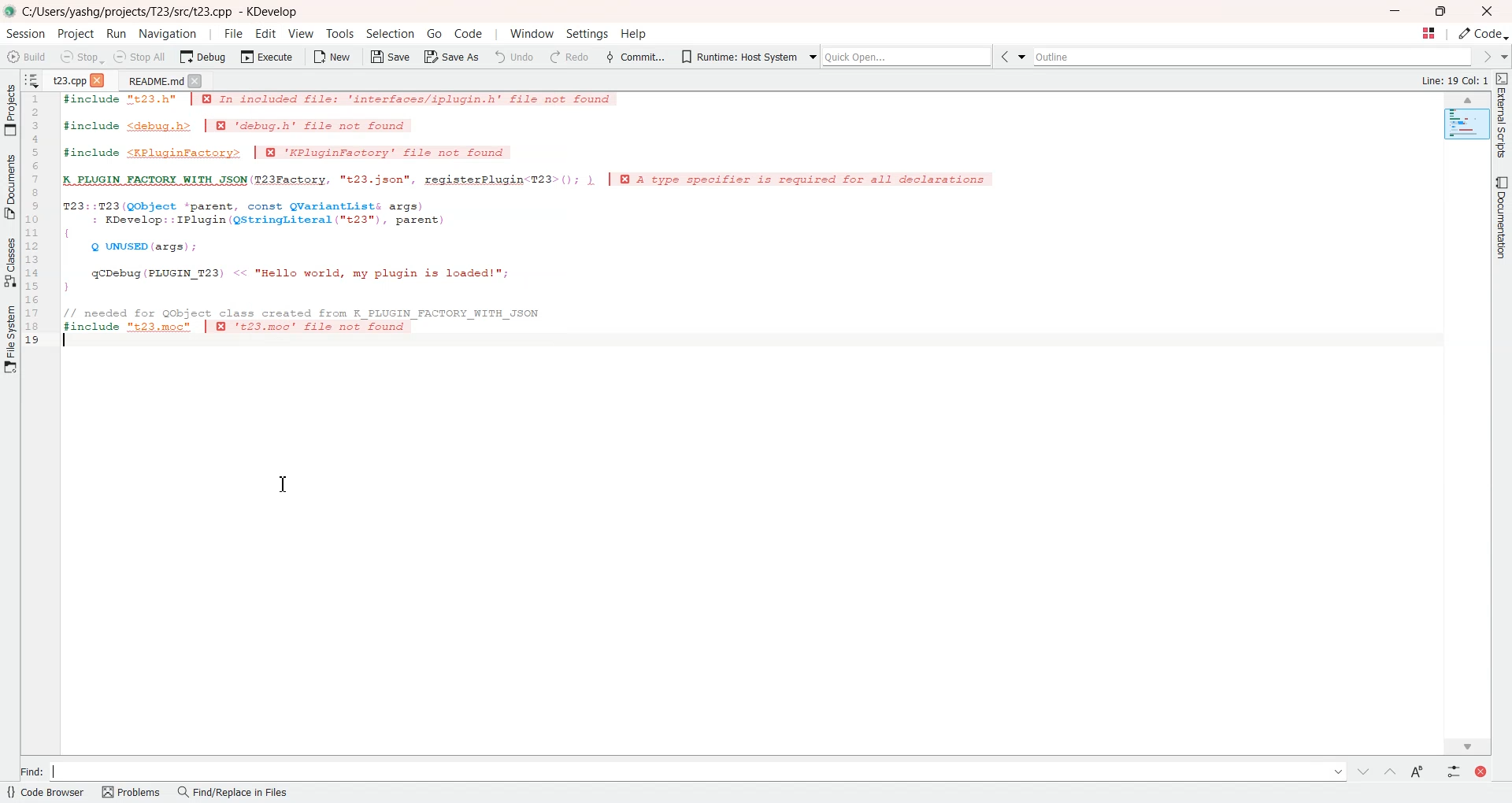 The width and height of the screenshot is (1512, 803). What do you see at coordinates (77, 34) in the screenshot?
I see `Project` at bounding box center [77, 34].